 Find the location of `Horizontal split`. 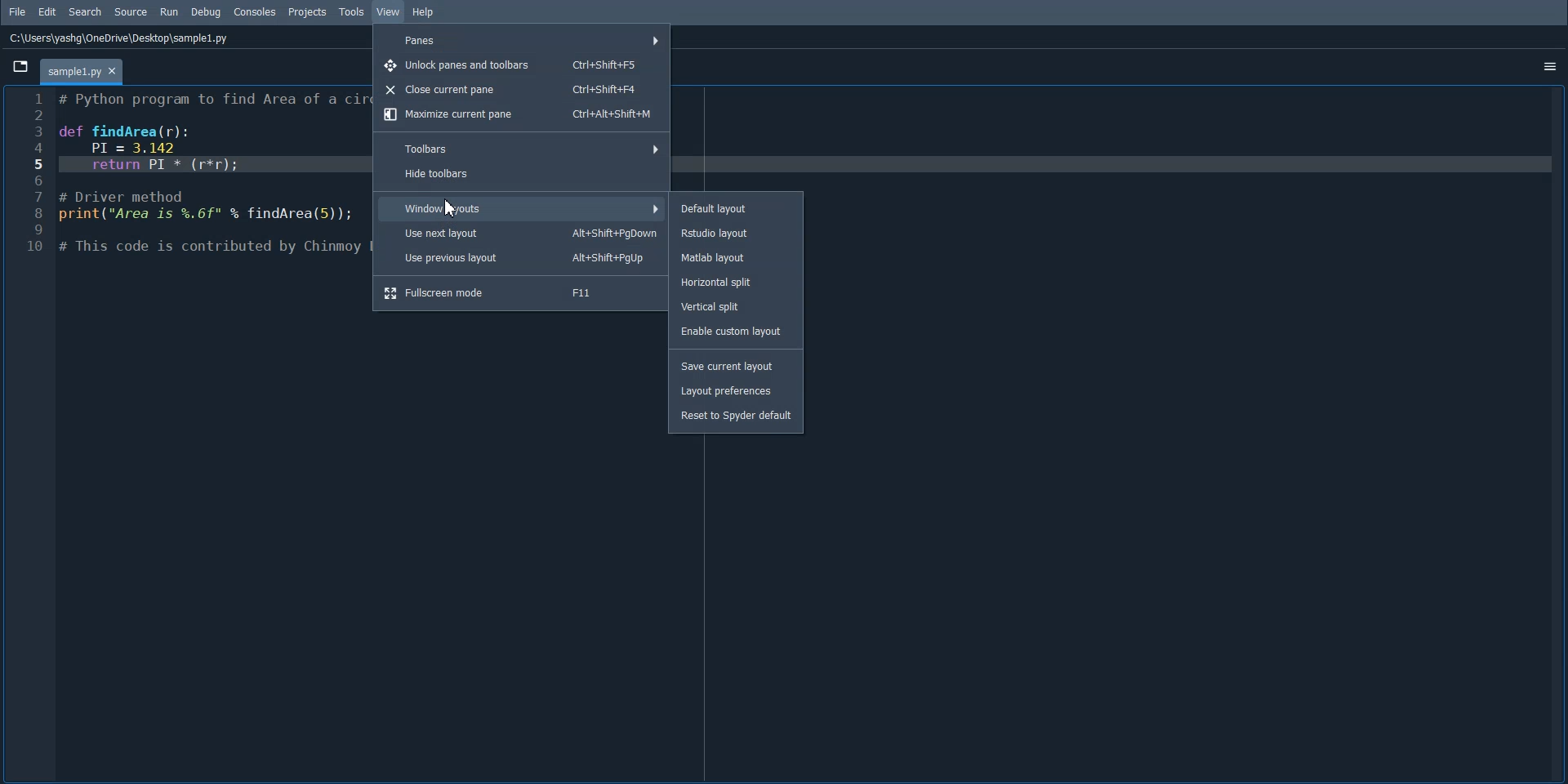

Horizontal split is located at coordinates (735, 283).